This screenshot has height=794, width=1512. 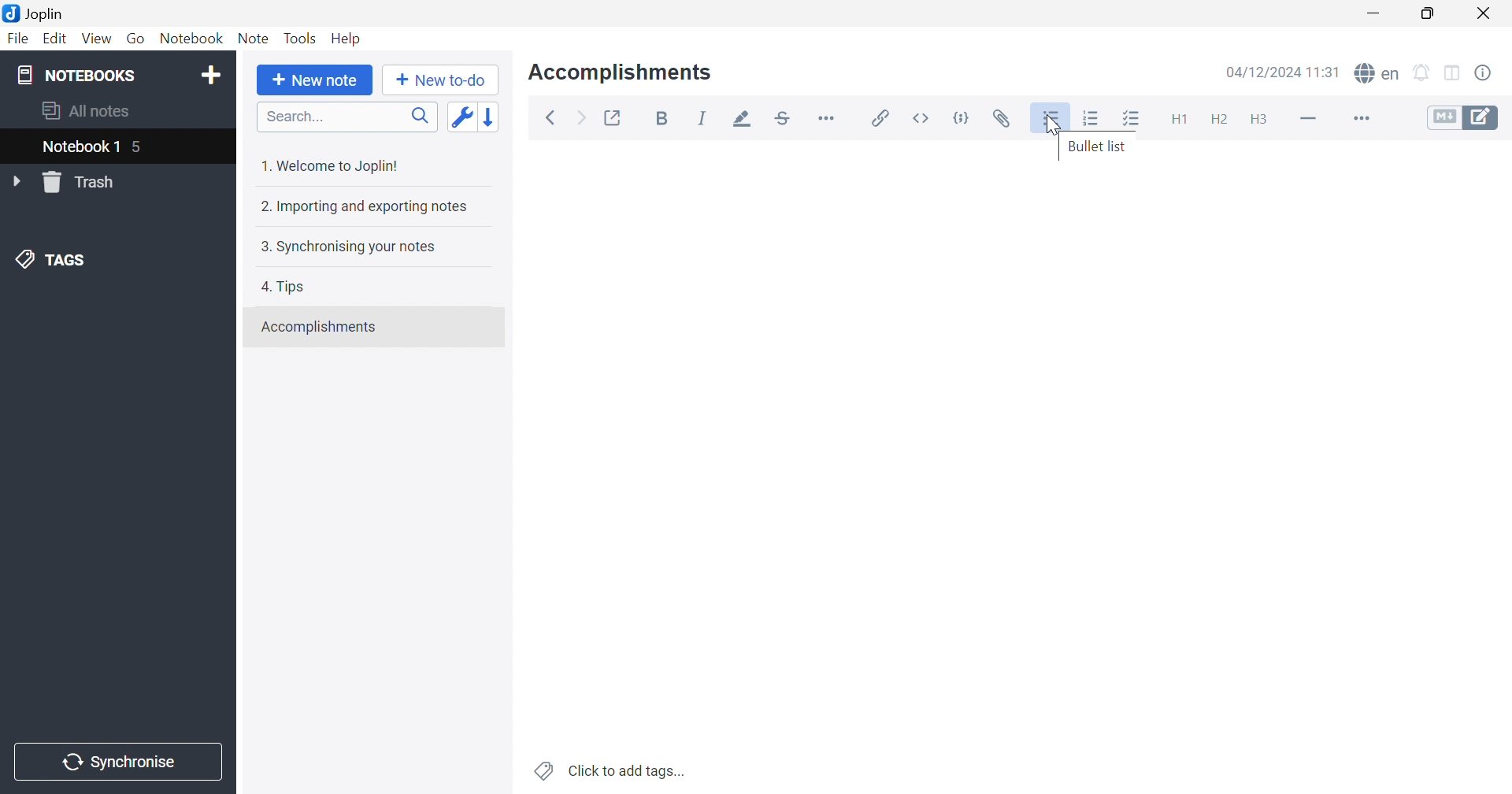 What do you see at coordinates (138, 39) in the screenshot?
I see `Go` at bounding box center [138, 39].